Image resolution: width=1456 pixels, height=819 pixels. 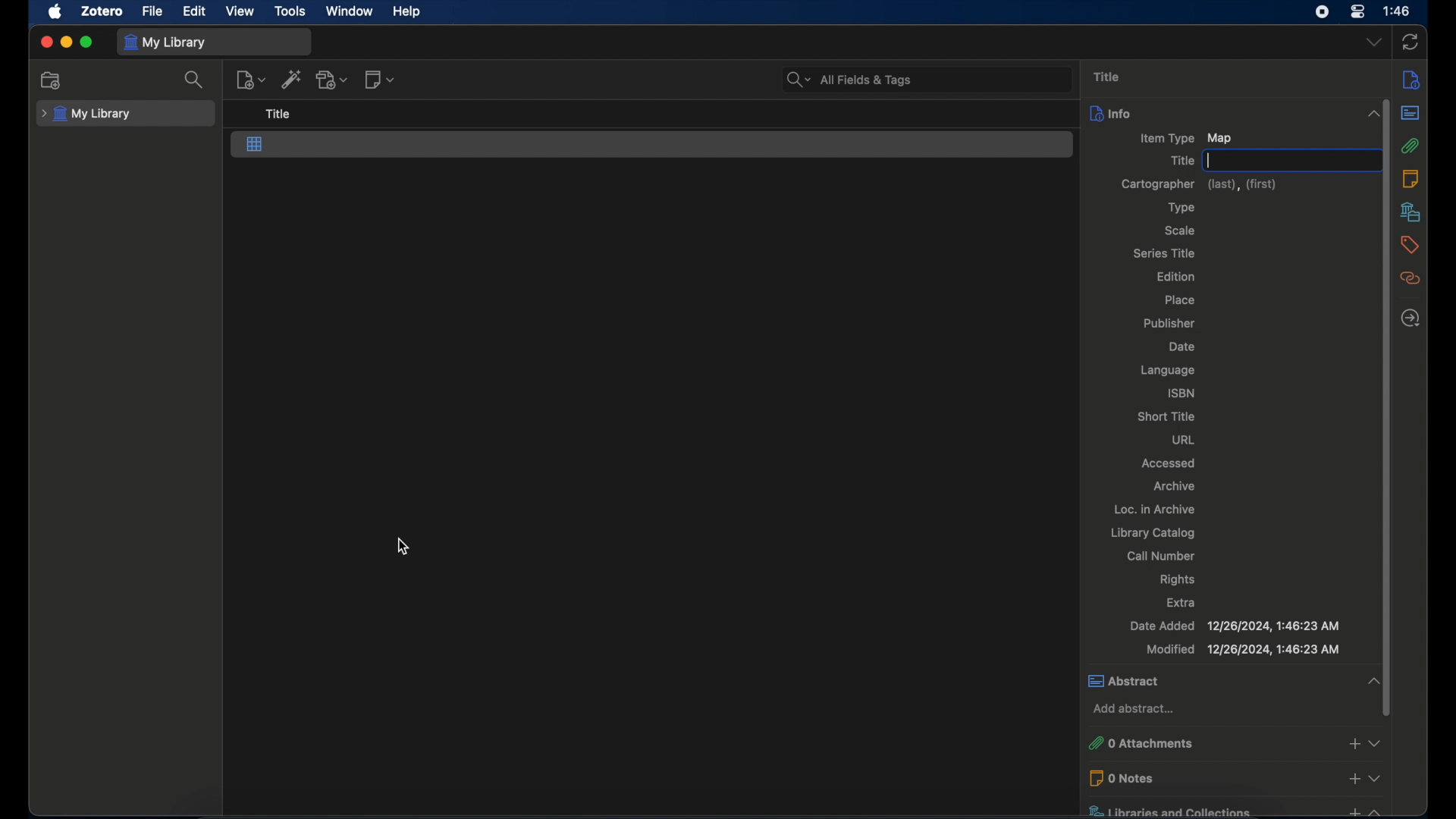 What do you see at coordinates (1186, 139) in the screenshot?
I see `item type map` at bounding box center [1186, 139].